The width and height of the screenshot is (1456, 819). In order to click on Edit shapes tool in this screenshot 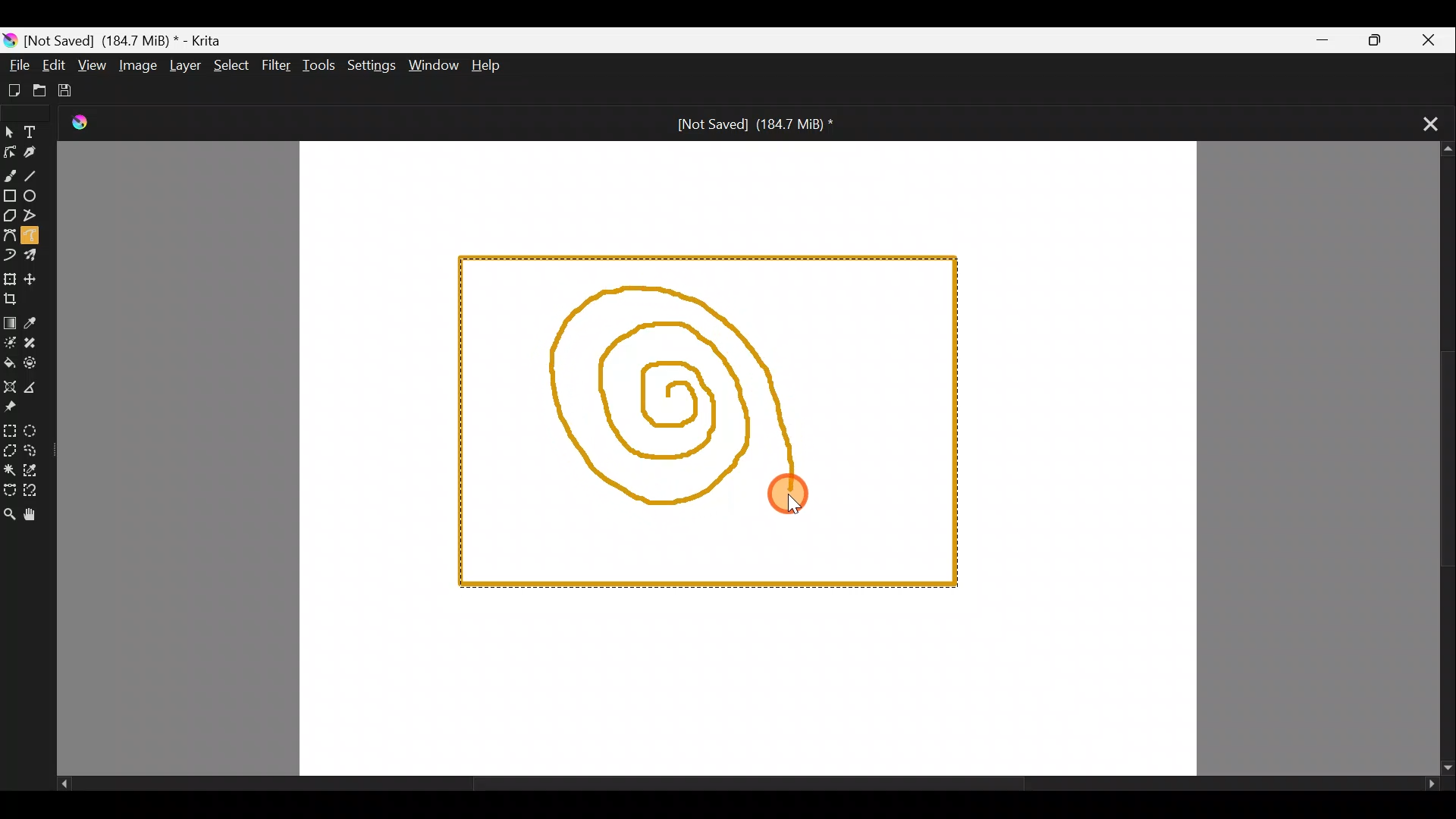, I will do `click(9, 152)`.